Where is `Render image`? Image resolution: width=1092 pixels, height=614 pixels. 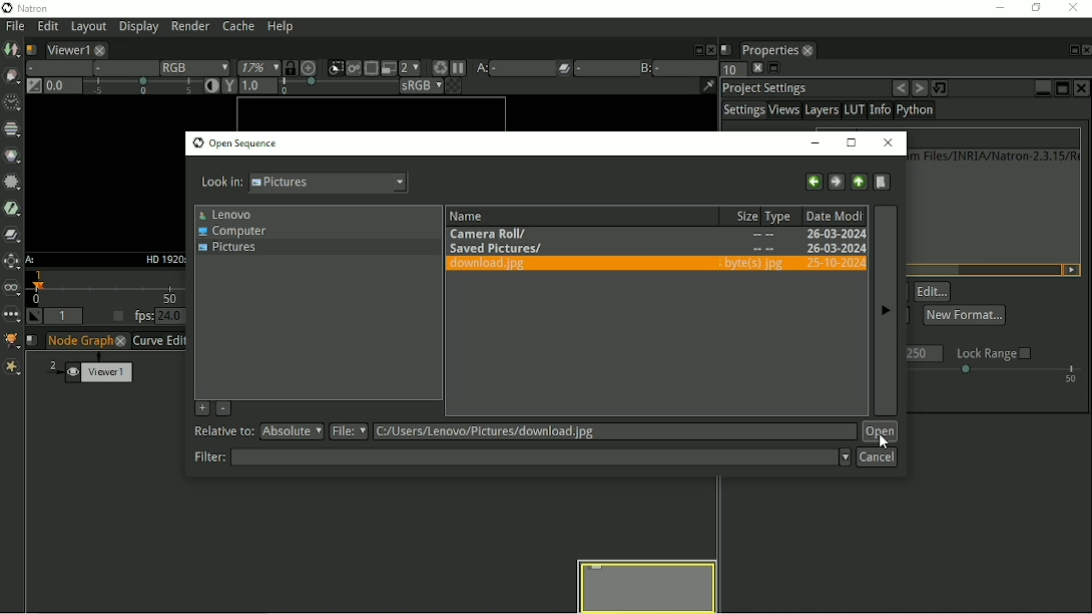 Render image is located at coordinates (353, 69).